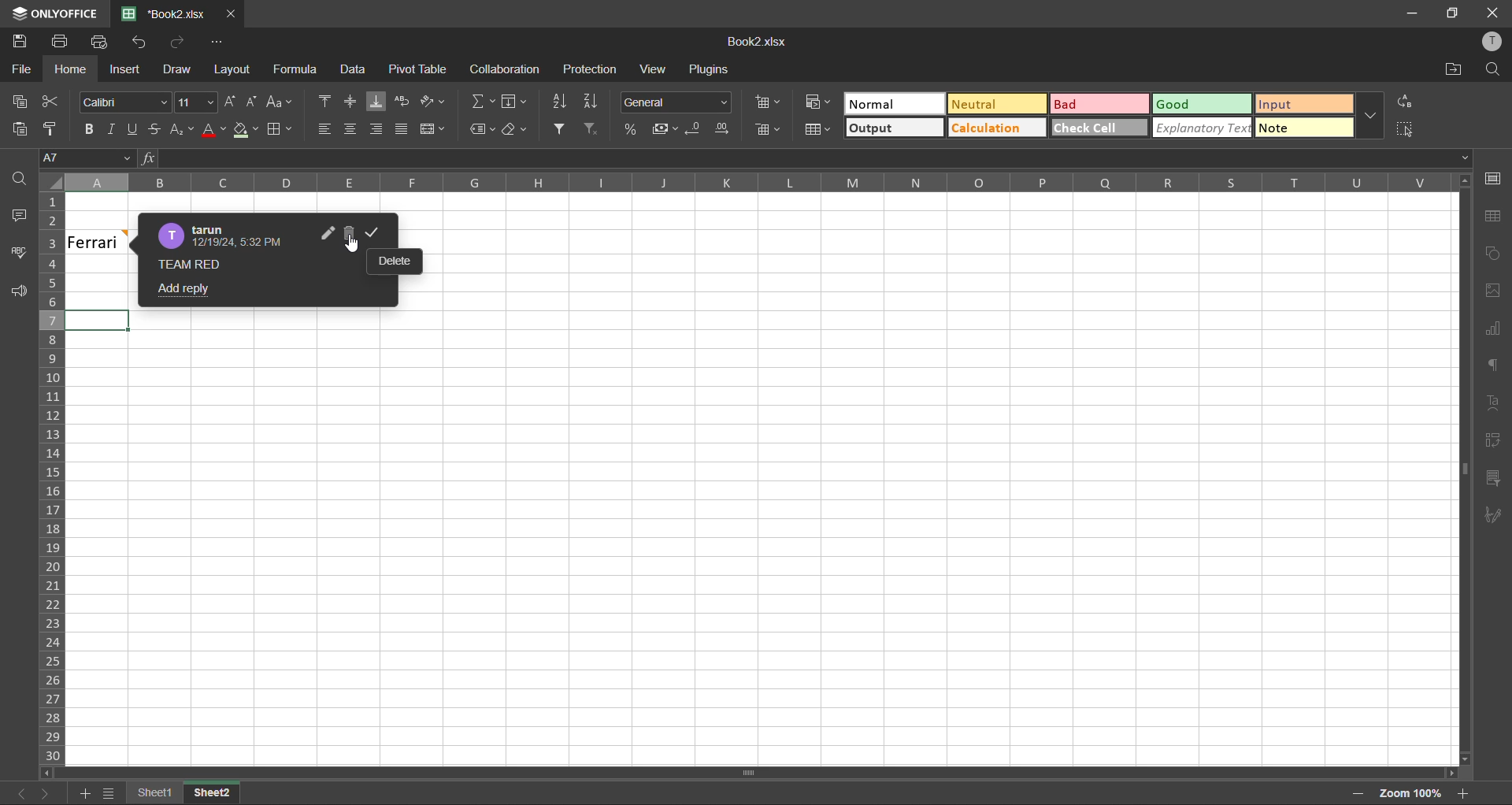 This screenshot has width=1512, height=805. I want to click on zoom out, so click(1351, 793).